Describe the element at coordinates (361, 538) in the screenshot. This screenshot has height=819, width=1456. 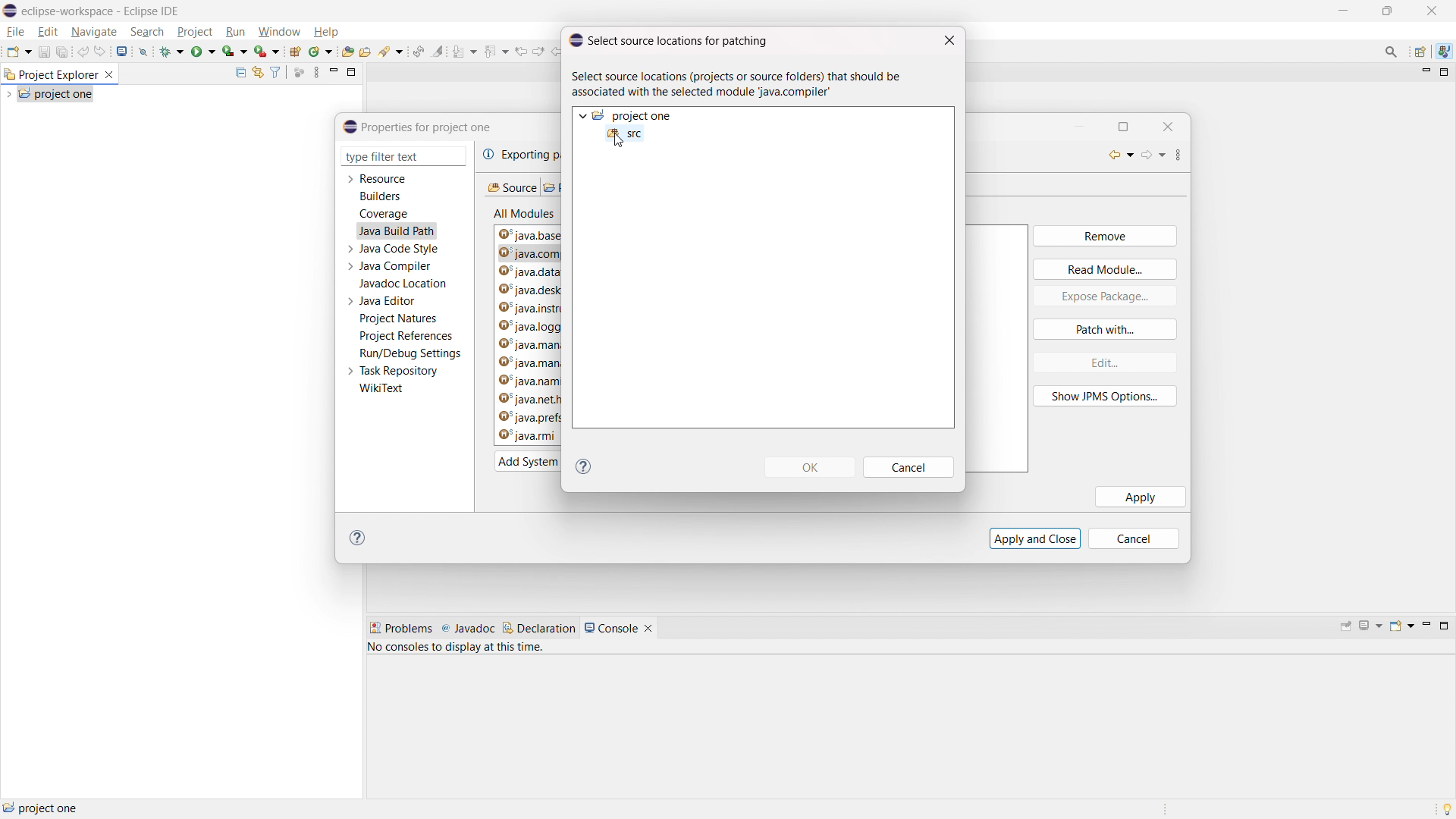
I see `help` at that location.